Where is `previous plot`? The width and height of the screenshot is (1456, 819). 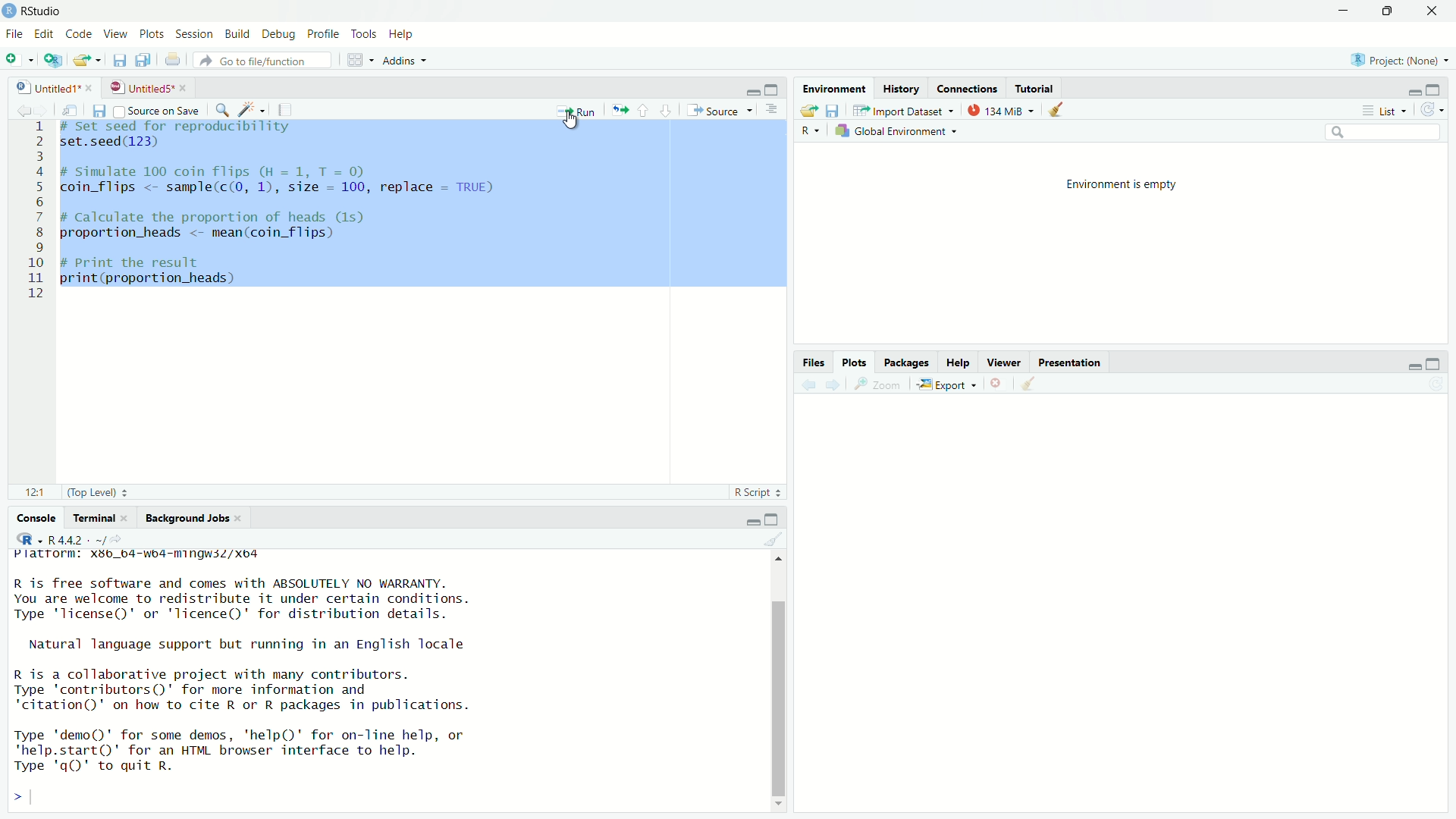
previous plot is located at coordinates (805, 385).